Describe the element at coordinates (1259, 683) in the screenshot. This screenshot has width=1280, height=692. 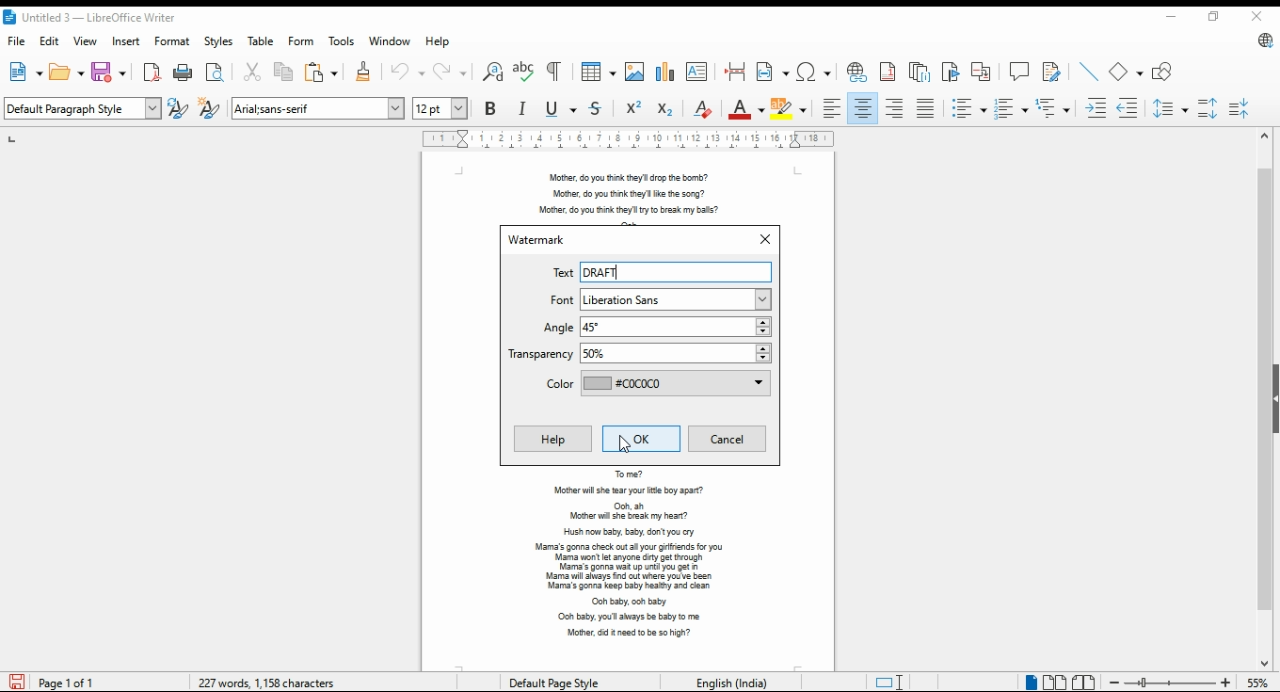
I see `zoom factor` at that location.